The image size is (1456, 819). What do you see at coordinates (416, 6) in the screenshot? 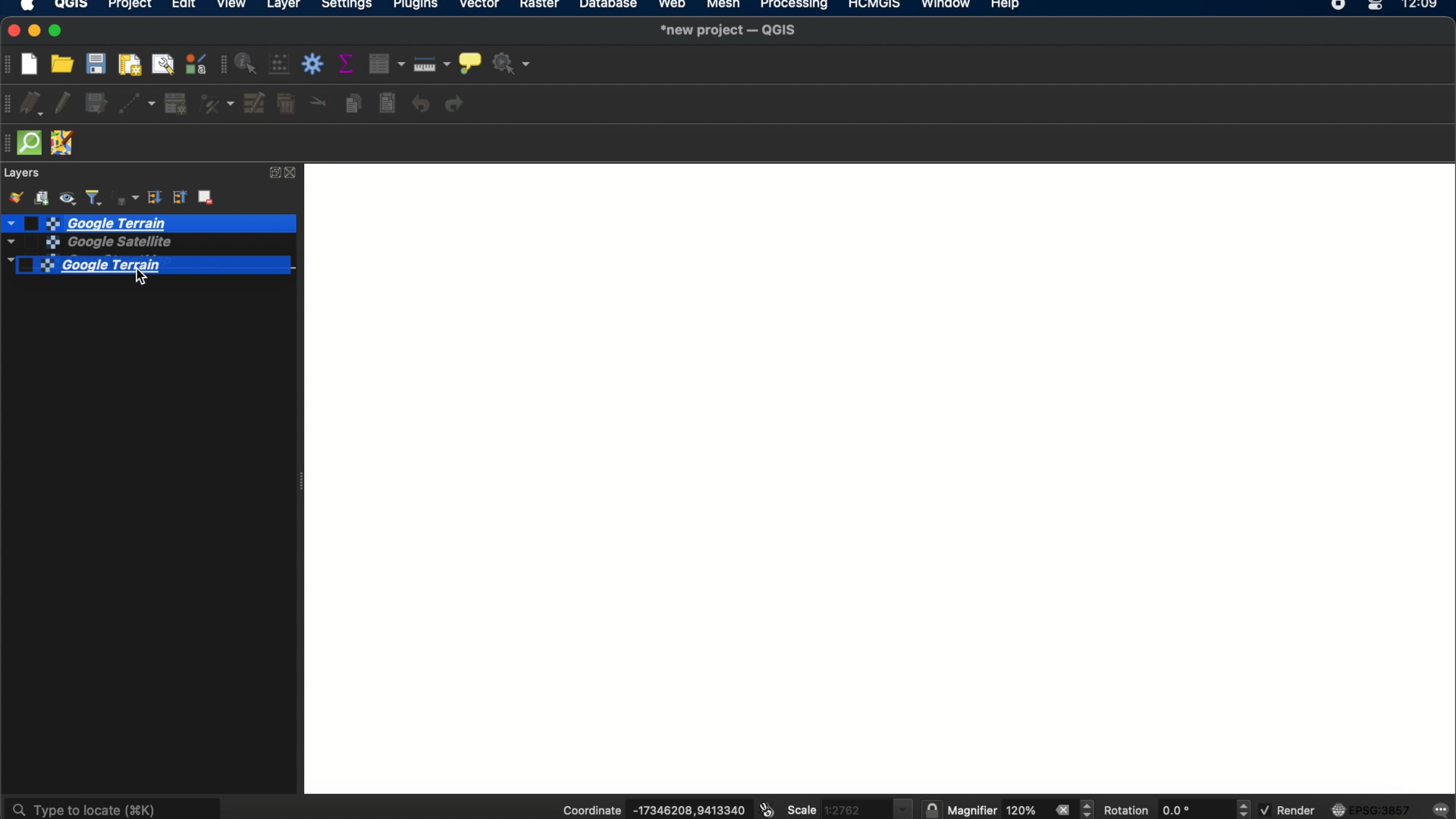
I see `plugins` at bounding box center [416, 6].